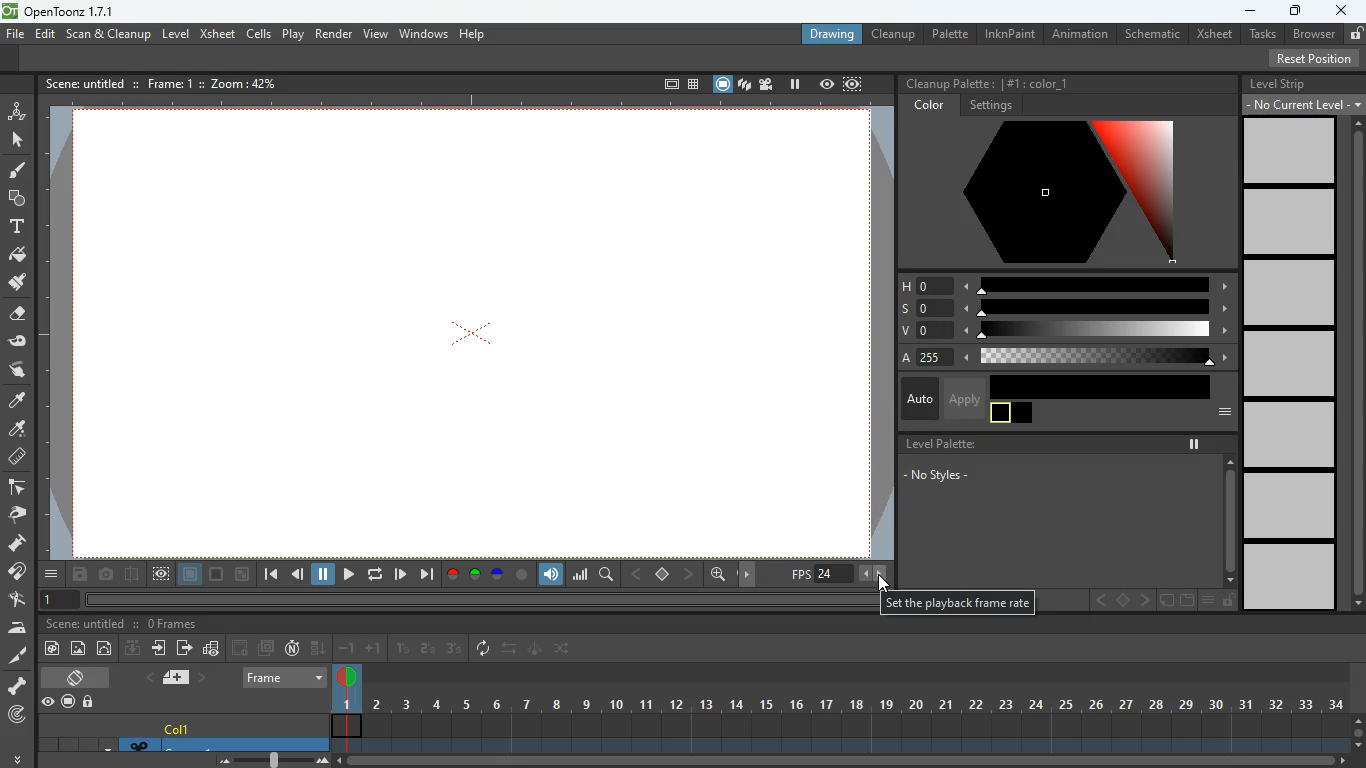 The width and height of the screenshot is (1366, 768). Describe the element at coordinates (1142, 599) in the screenshot. I see `right` at that location.